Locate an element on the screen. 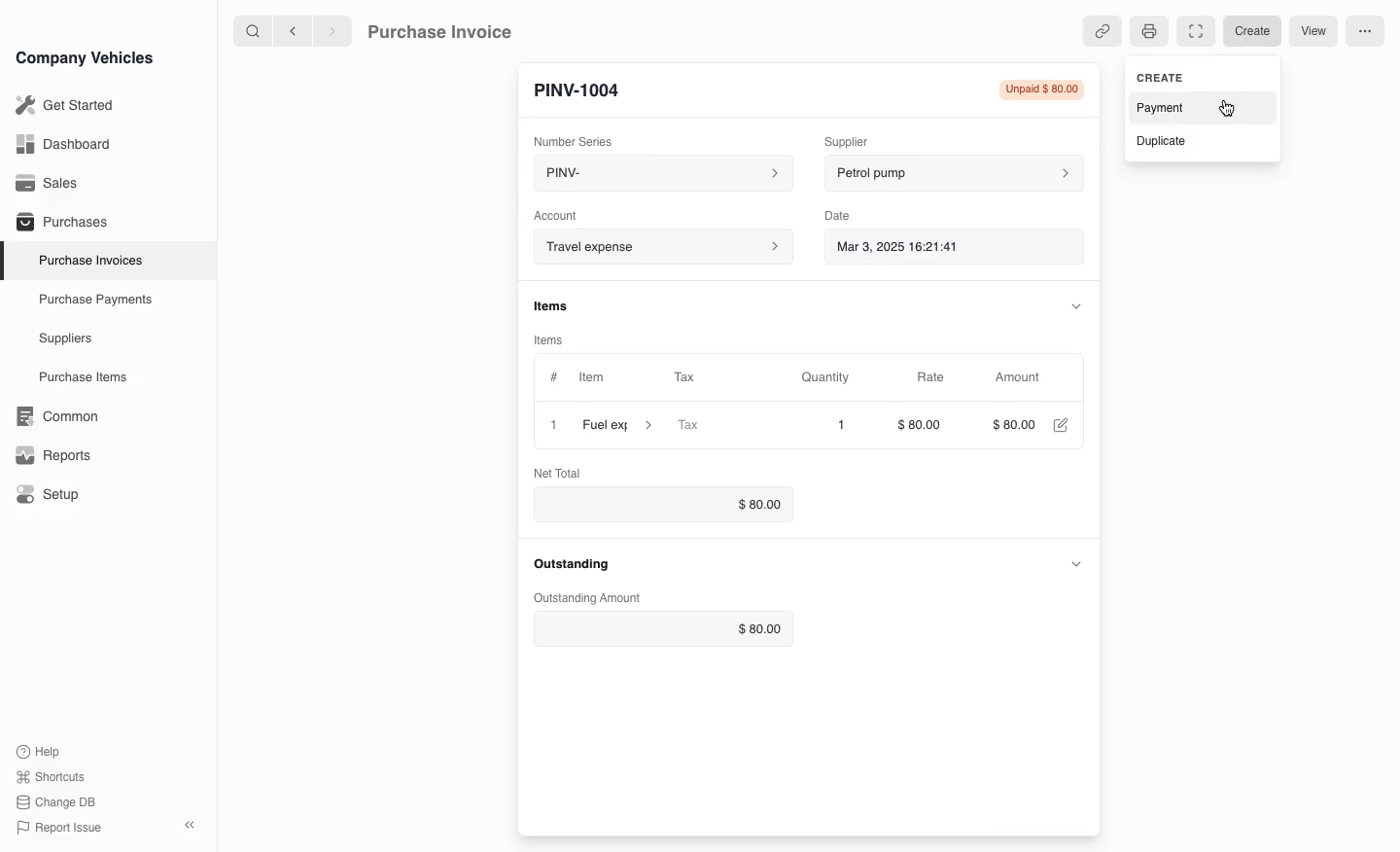  Date is located at coordinates (838, 216).